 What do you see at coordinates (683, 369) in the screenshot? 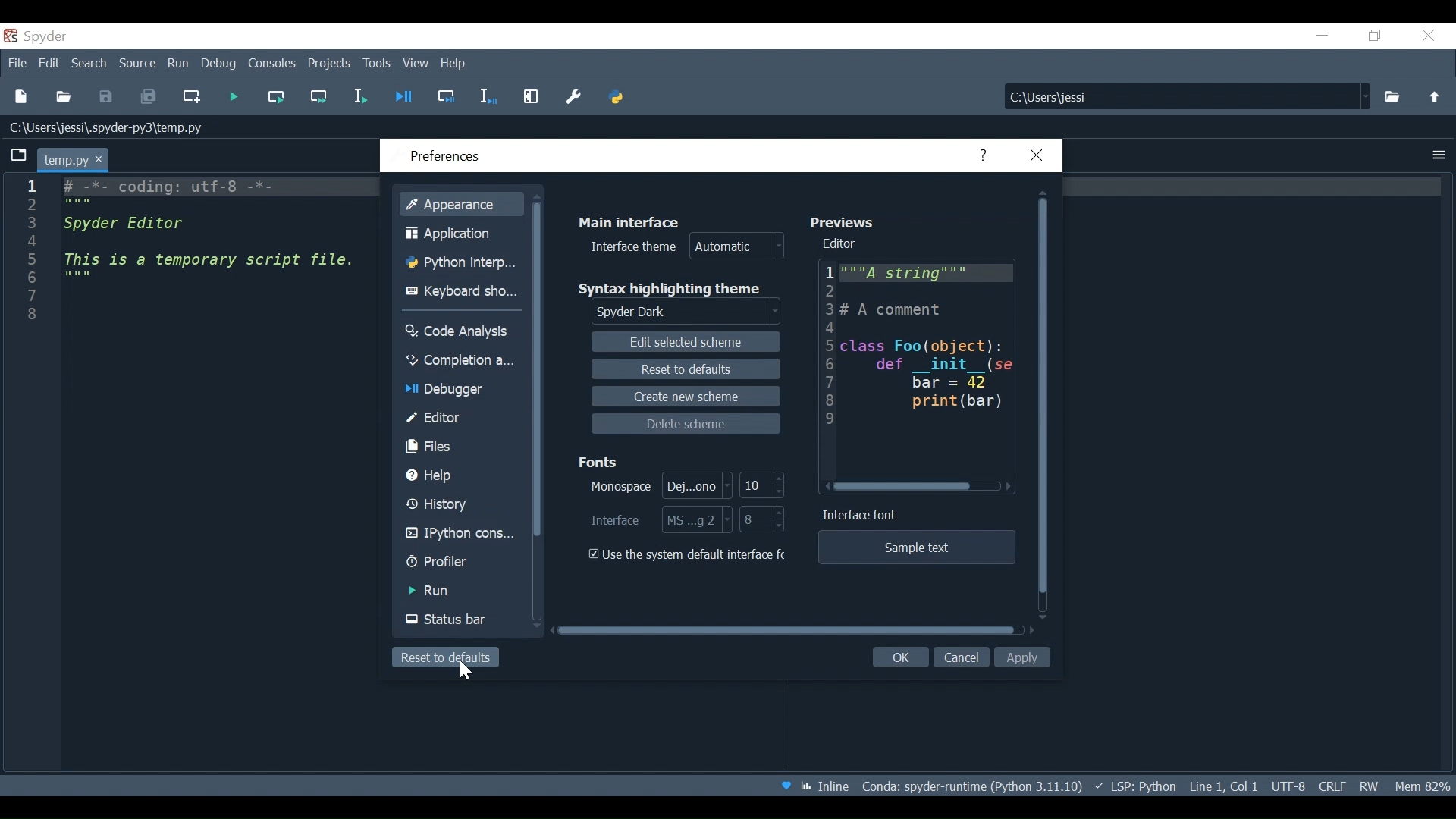
I see `Reset to defaults` at bounding box center [683, 369].